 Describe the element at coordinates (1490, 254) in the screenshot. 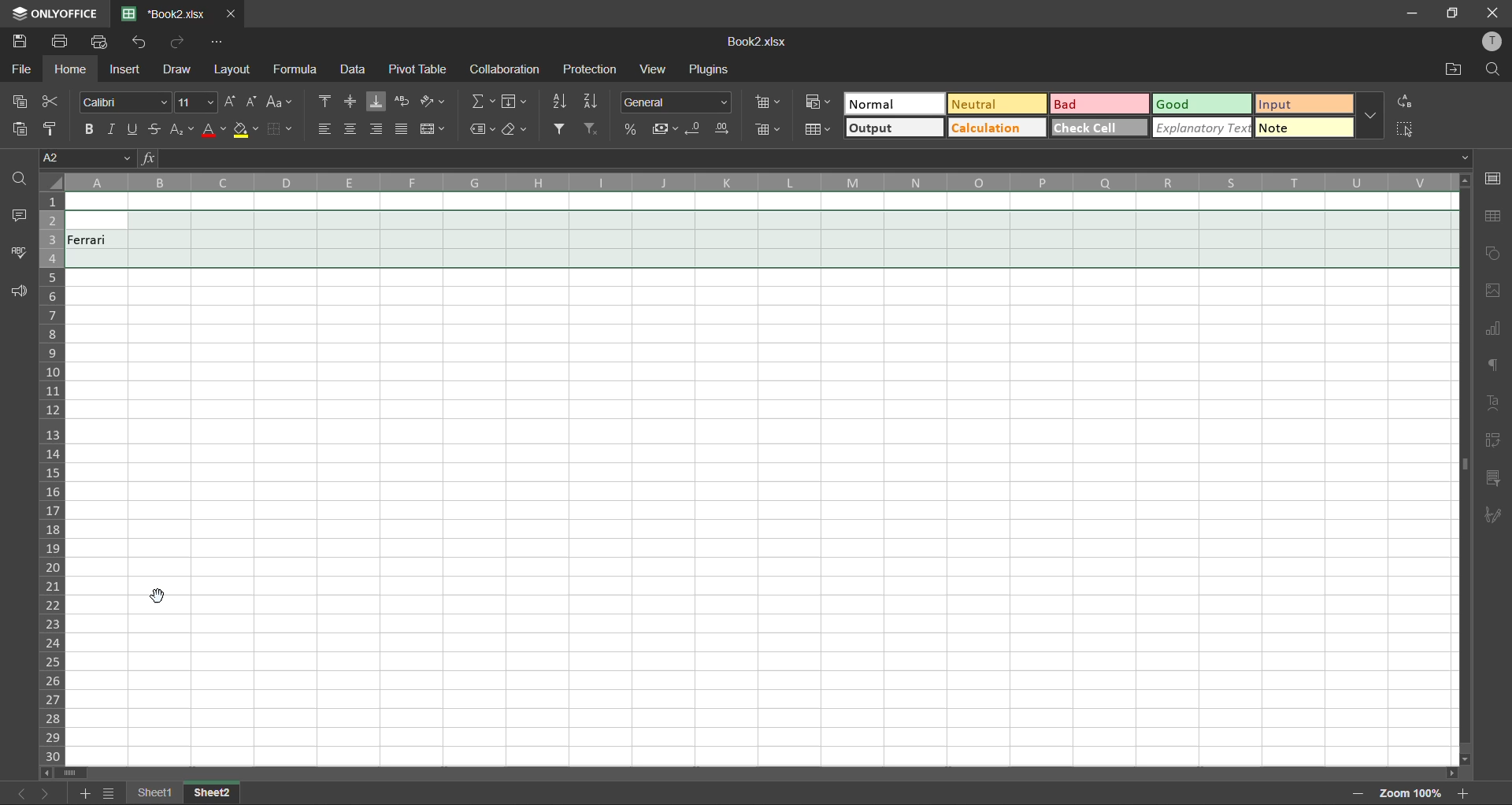

I see `shapes` at that location.